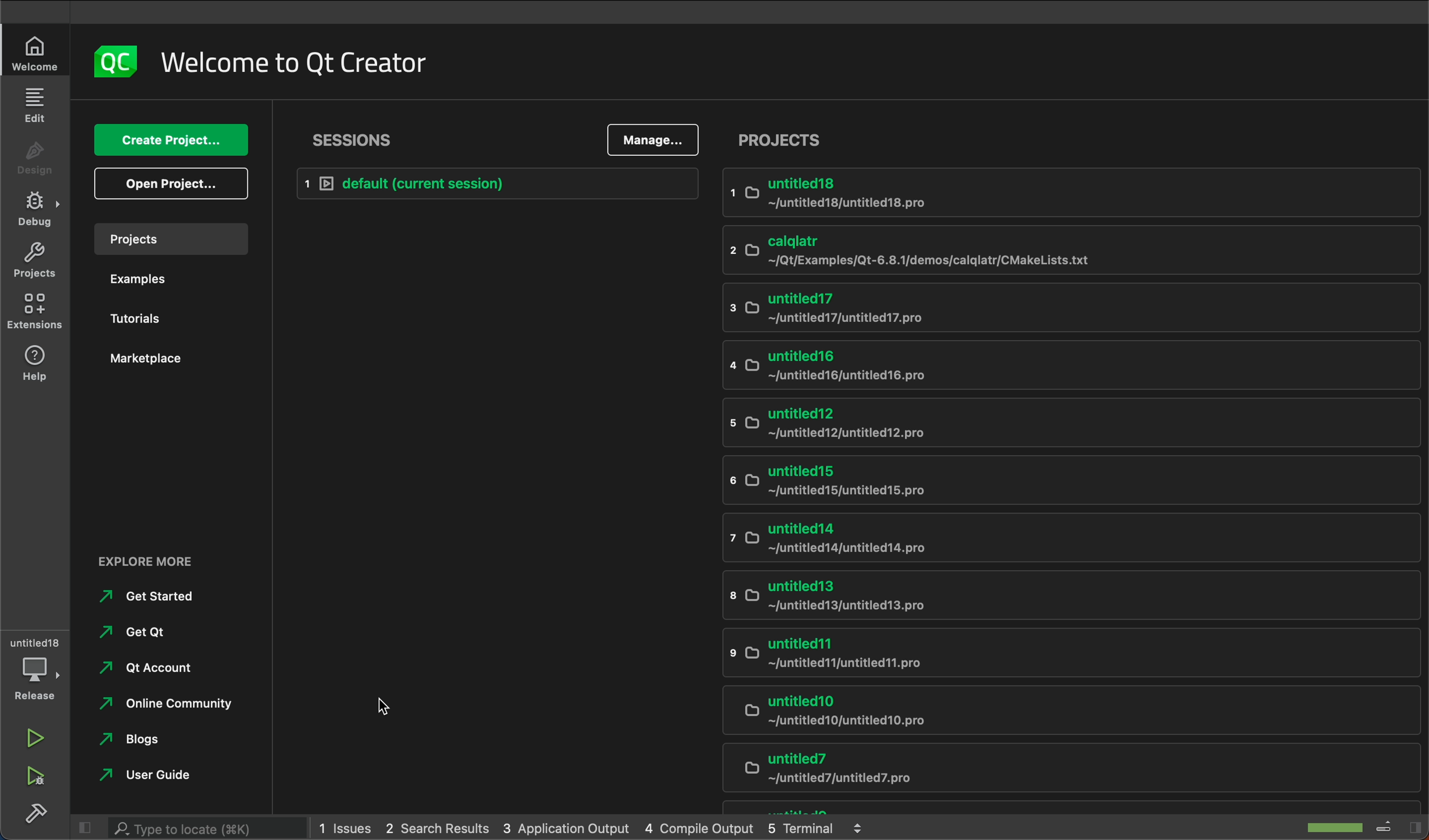 The width and height of the screenshot is (1429, 840). I want to click on untitled10, so click(1049, 712).